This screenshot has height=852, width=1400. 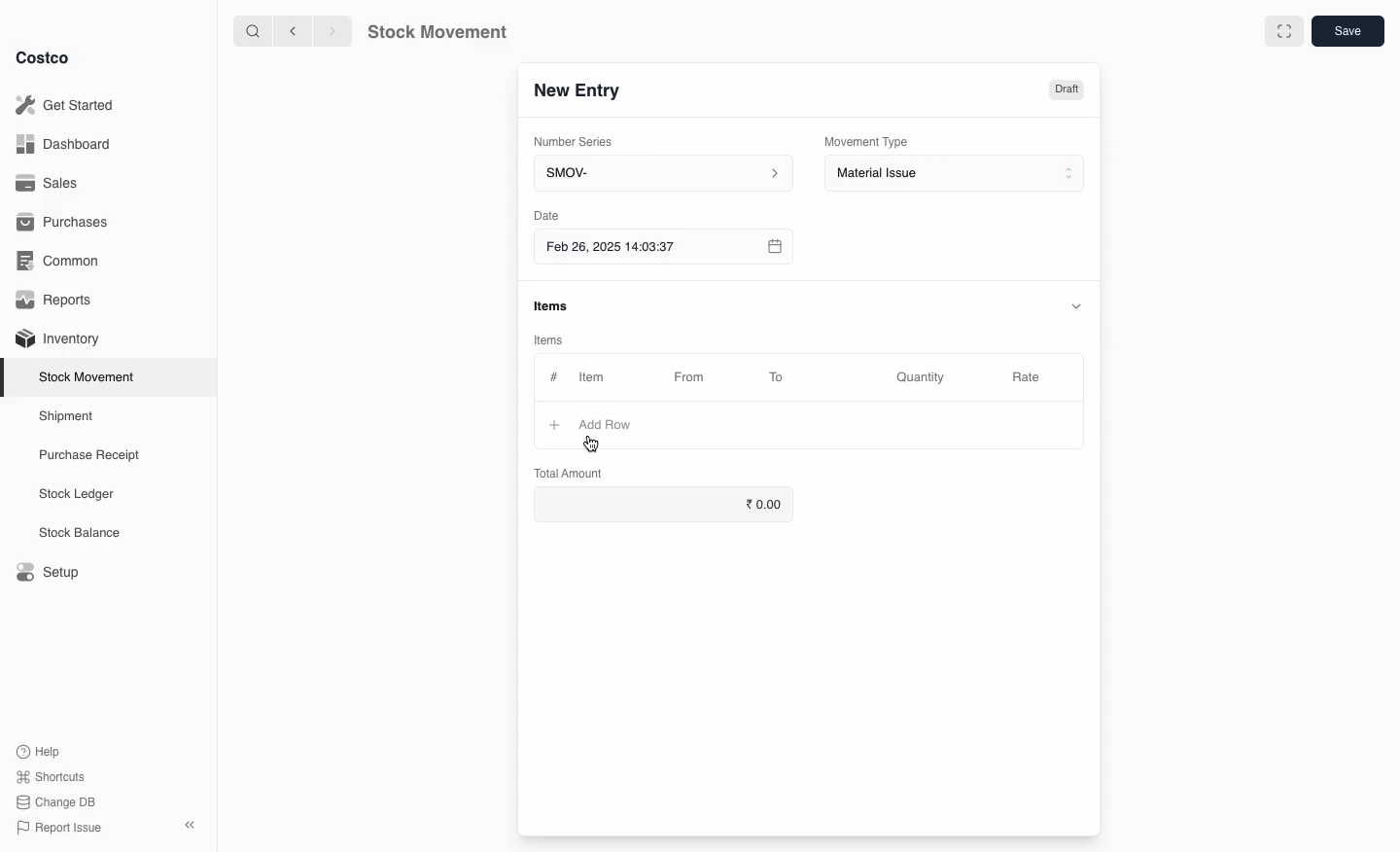 What do you see at coordinates (46, 570) in the screenshot?
I see `Setup` at bounding box center [46, 570].